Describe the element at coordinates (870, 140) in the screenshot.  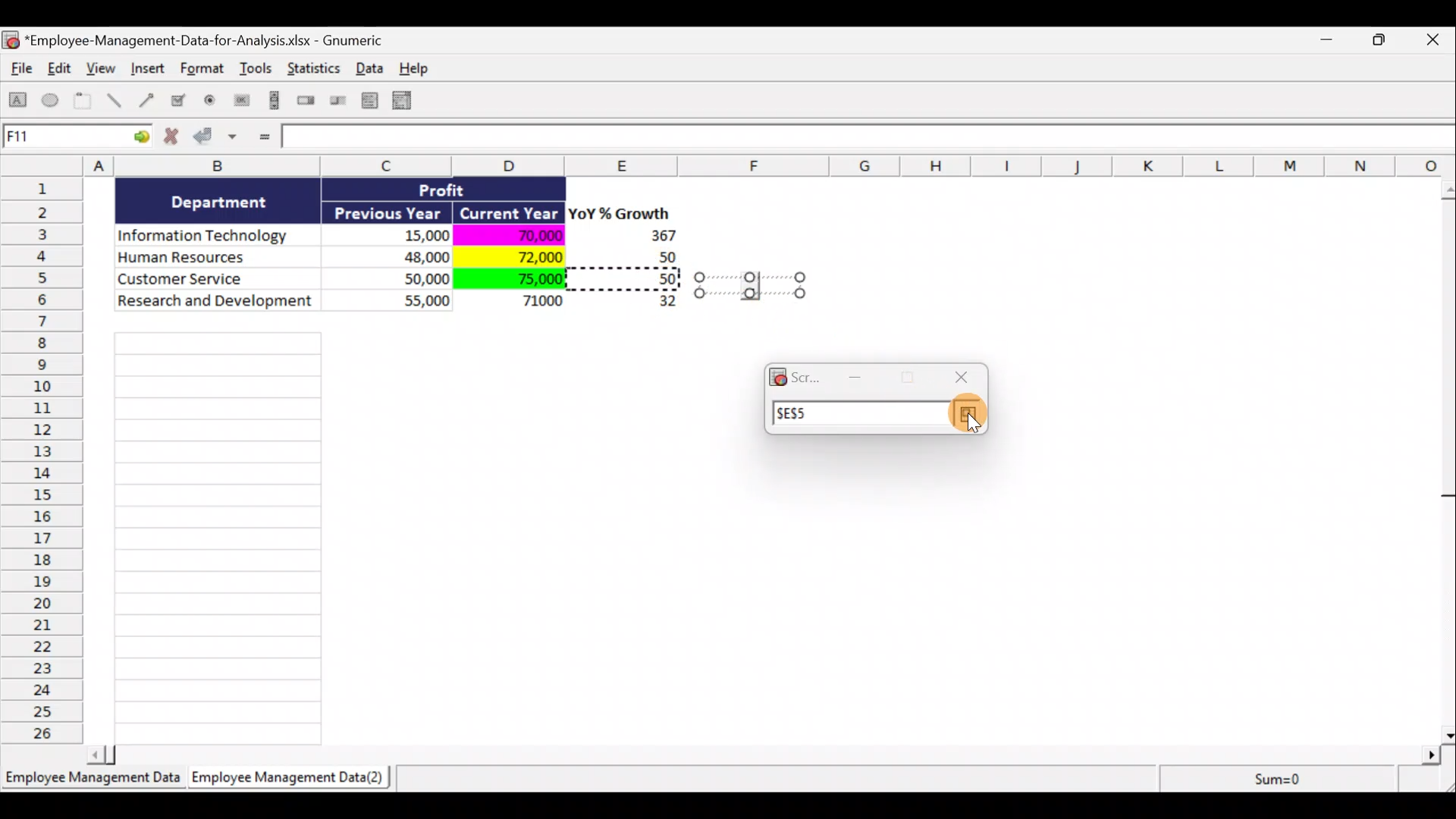
I see `Formula bar` at that location.